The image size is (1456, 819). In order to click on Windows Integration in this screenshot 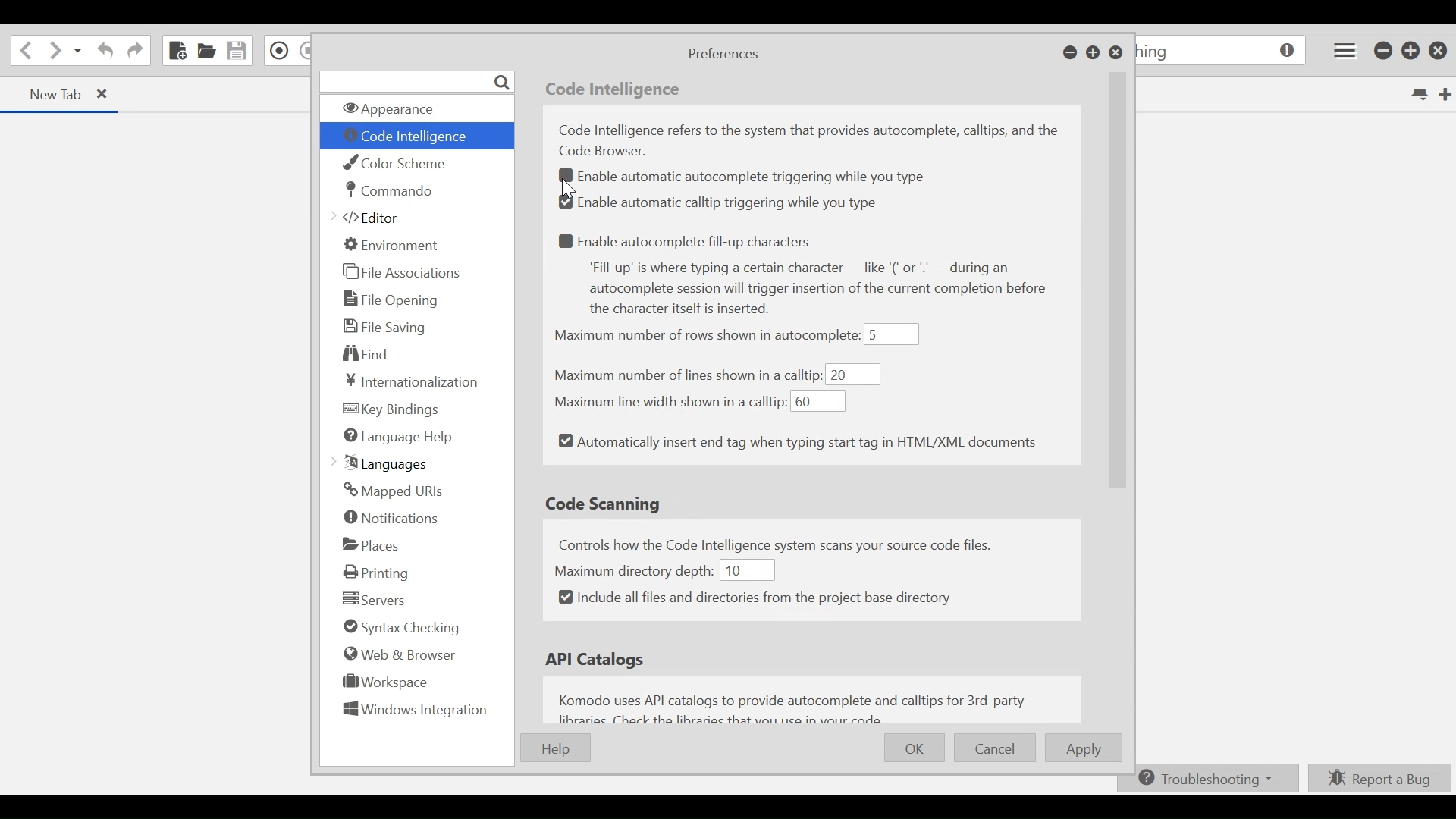, I will do `click(415, 713)`.